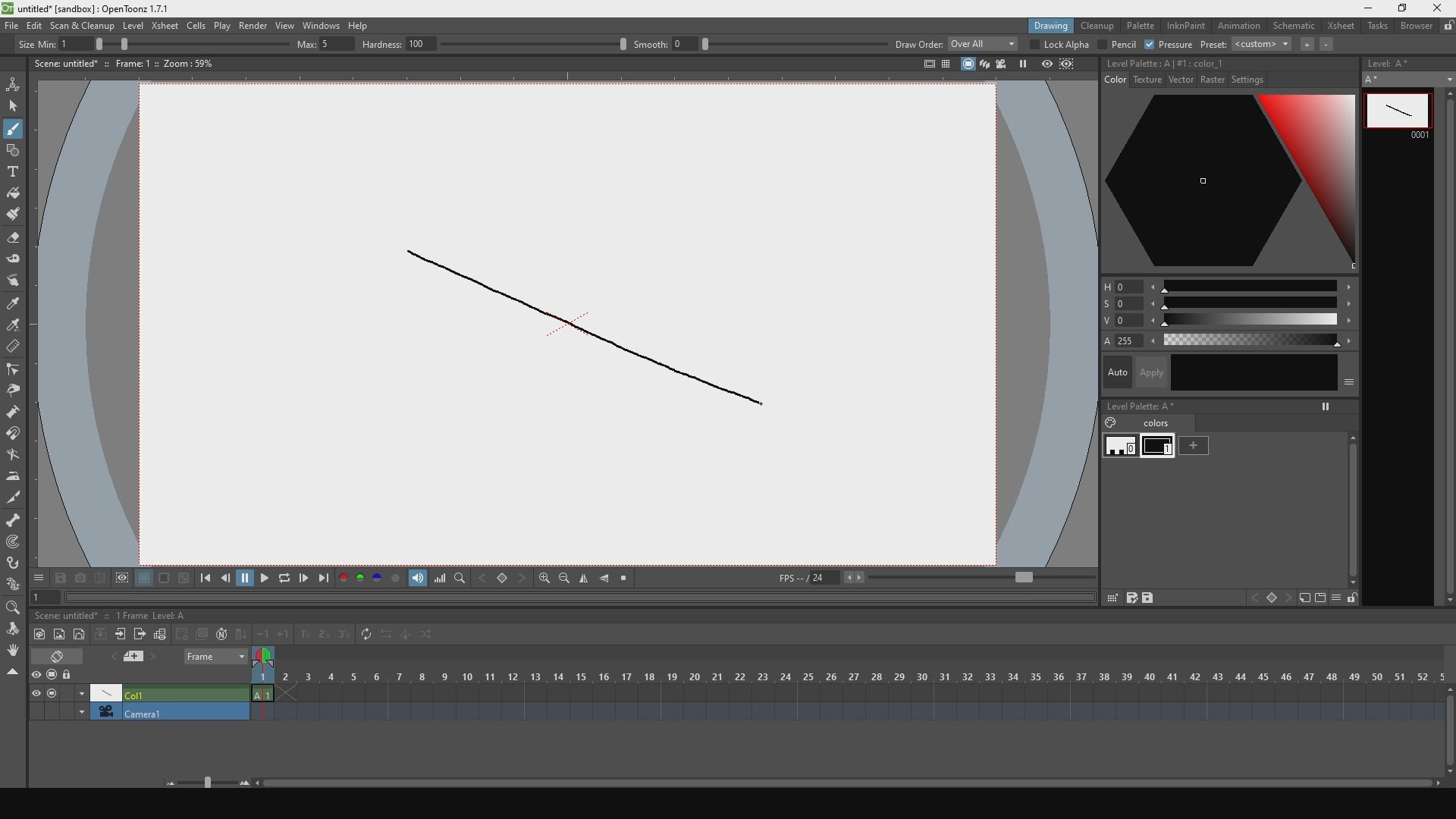  I want to click on file, so click(10, 25).